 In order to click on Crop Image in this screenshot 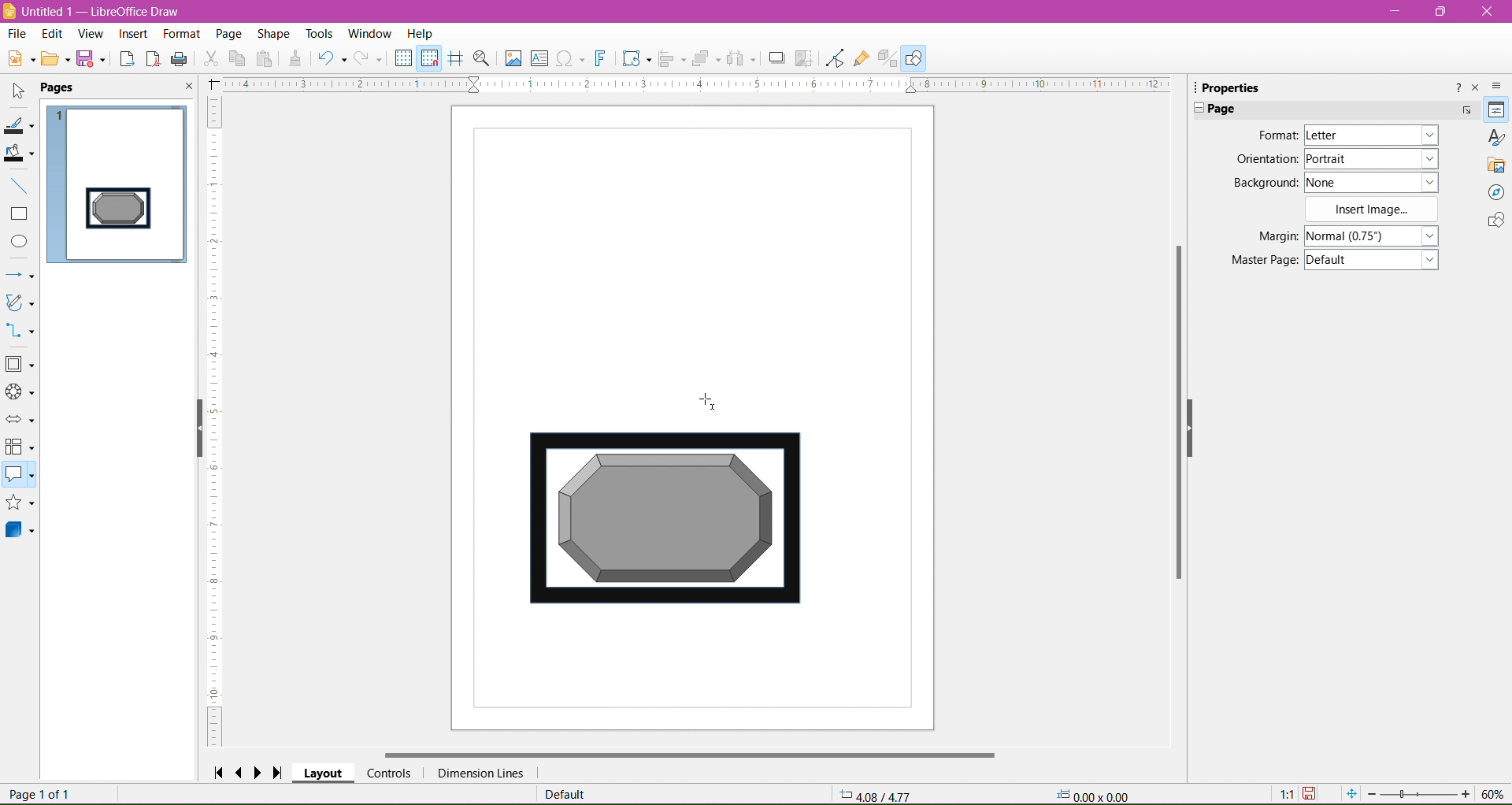, I will do `click(804, 57)`.